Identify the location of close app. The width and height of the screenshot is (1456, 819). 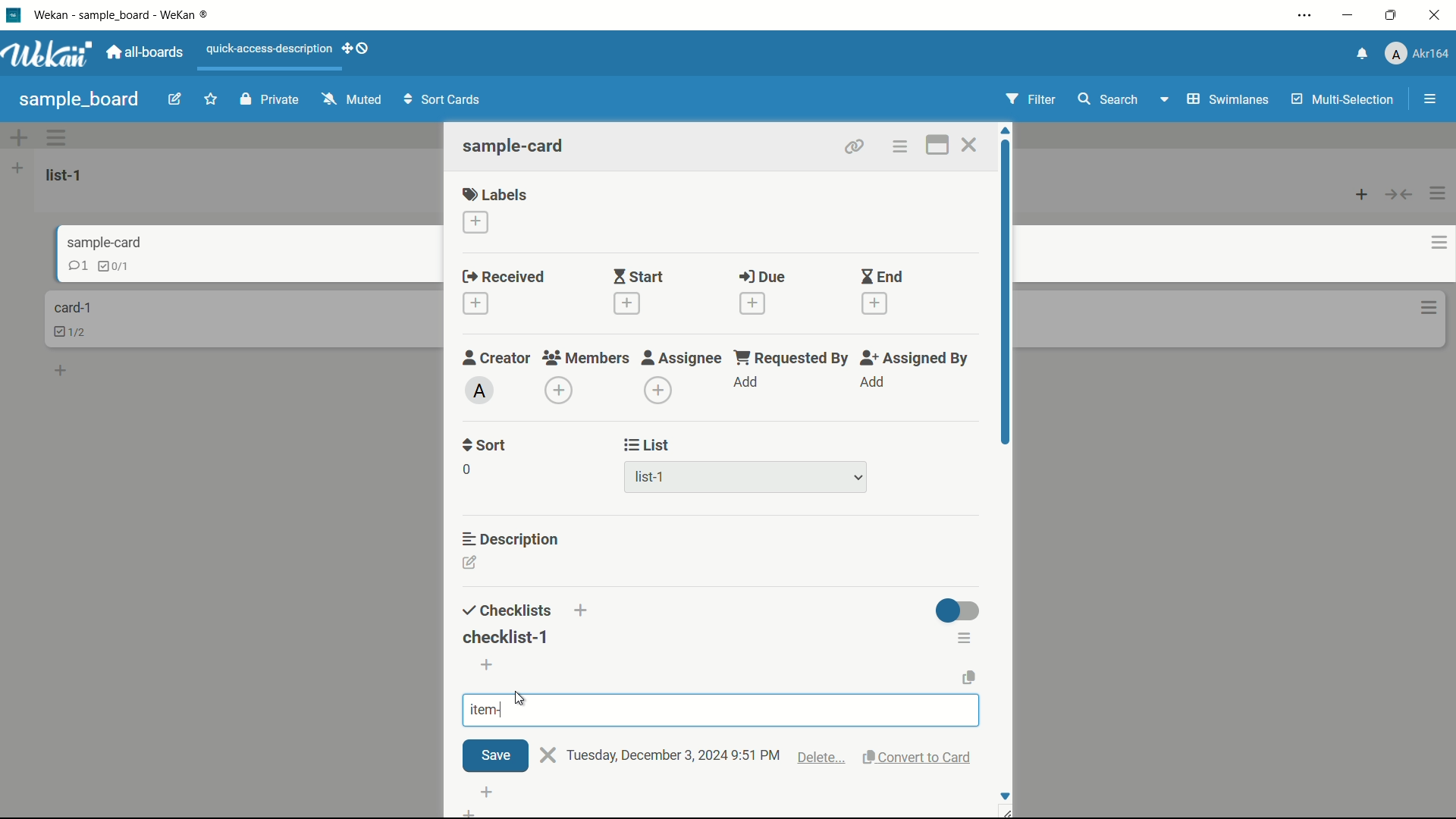
(1434, 15).